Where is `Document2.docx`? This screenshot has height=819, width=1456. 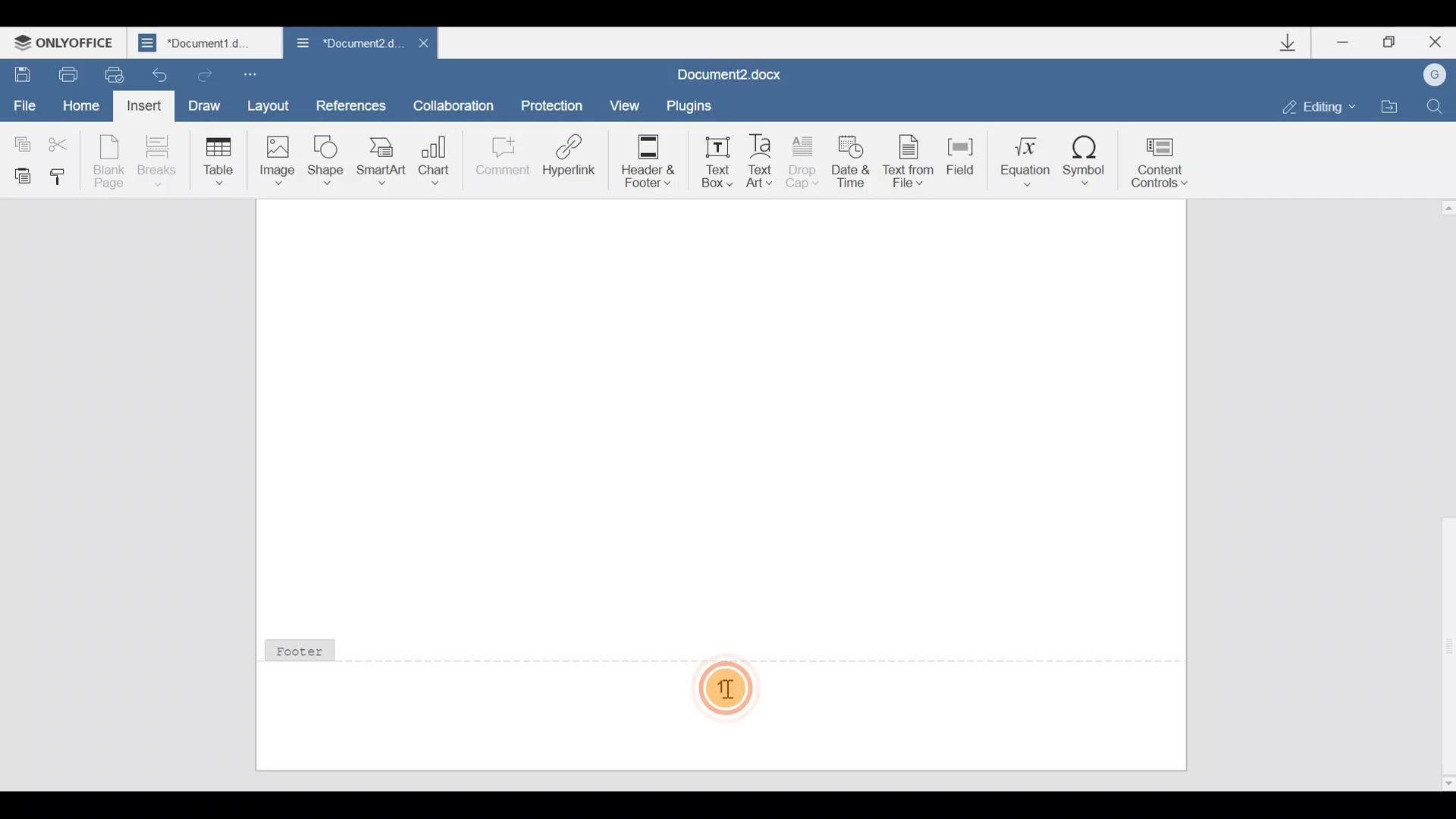
Document2.docx is located at coordinates (742, 71).